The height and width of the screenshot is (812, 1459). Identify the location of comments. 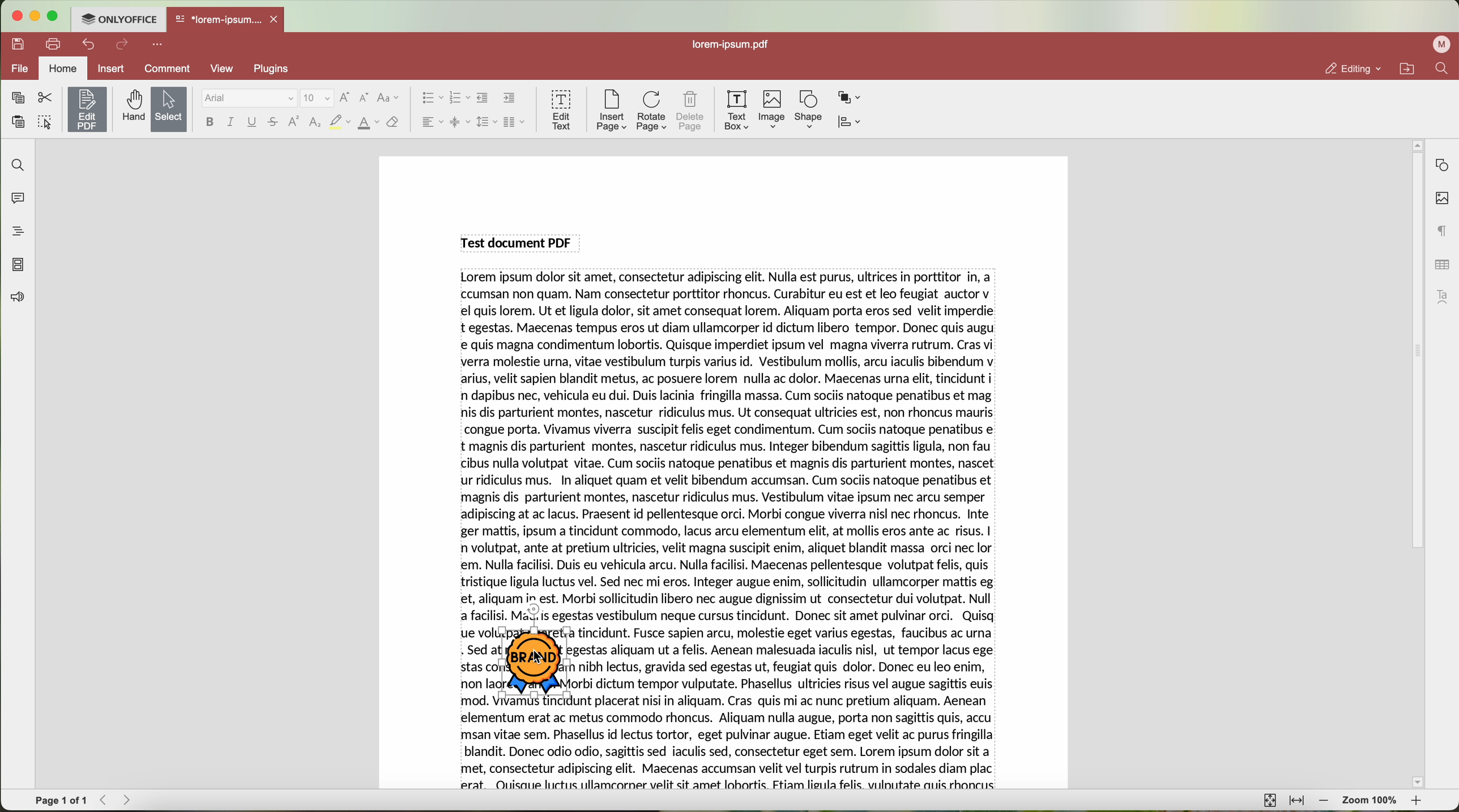
(15, 196).